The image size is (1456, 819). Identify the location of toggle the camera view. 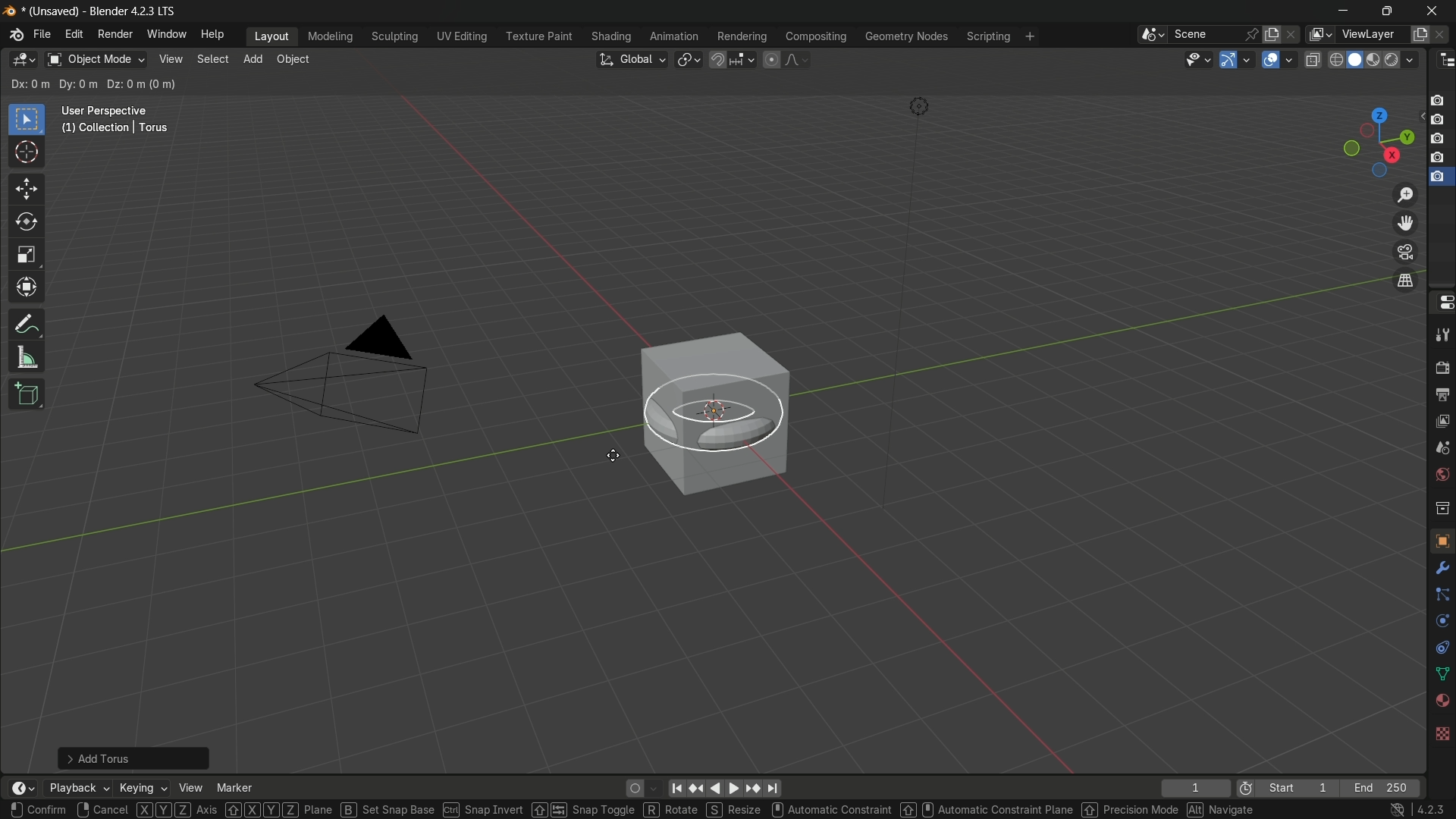
(1405, 252).